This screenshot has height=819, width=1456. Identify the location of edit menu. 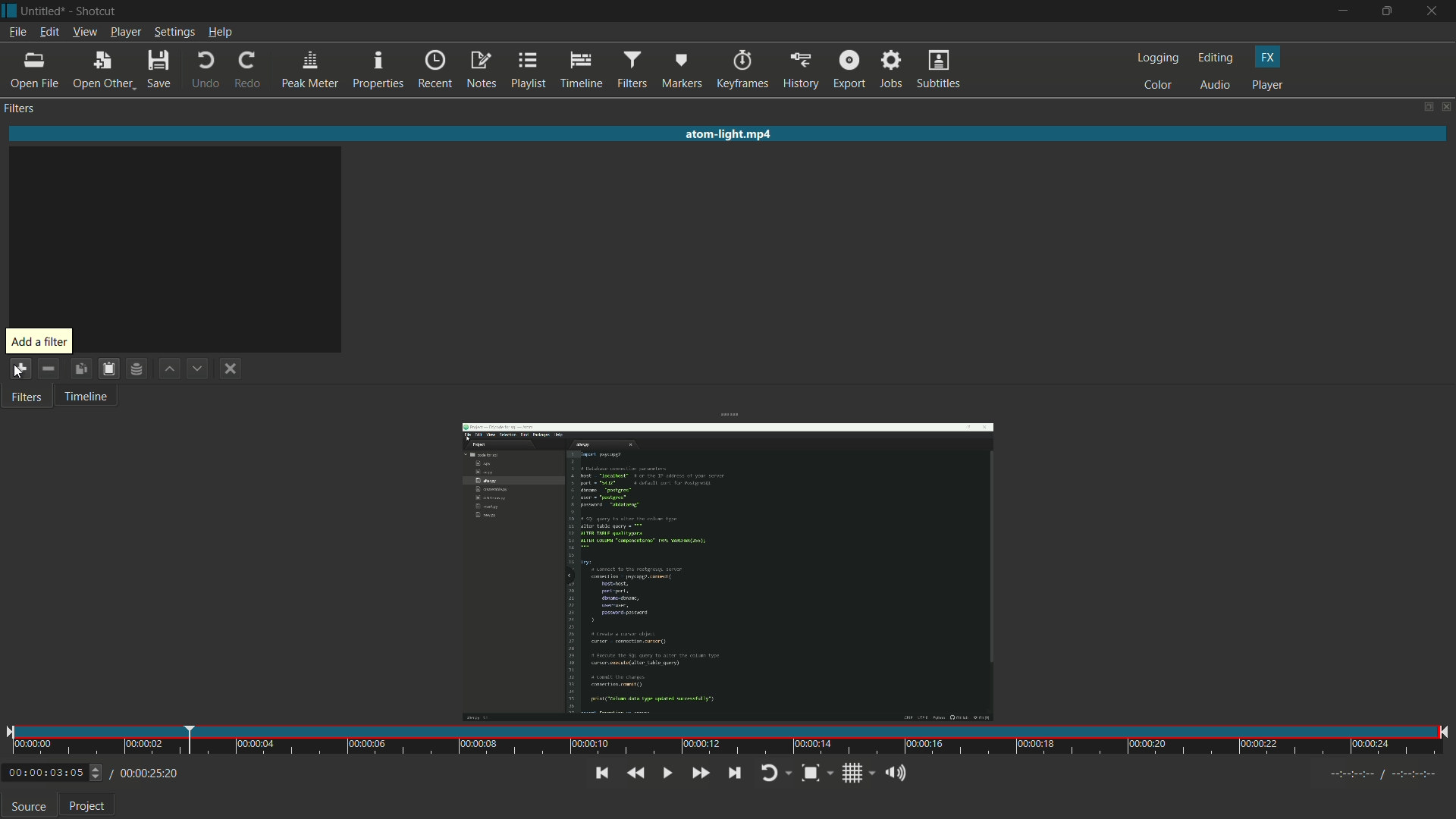
(48, 33).